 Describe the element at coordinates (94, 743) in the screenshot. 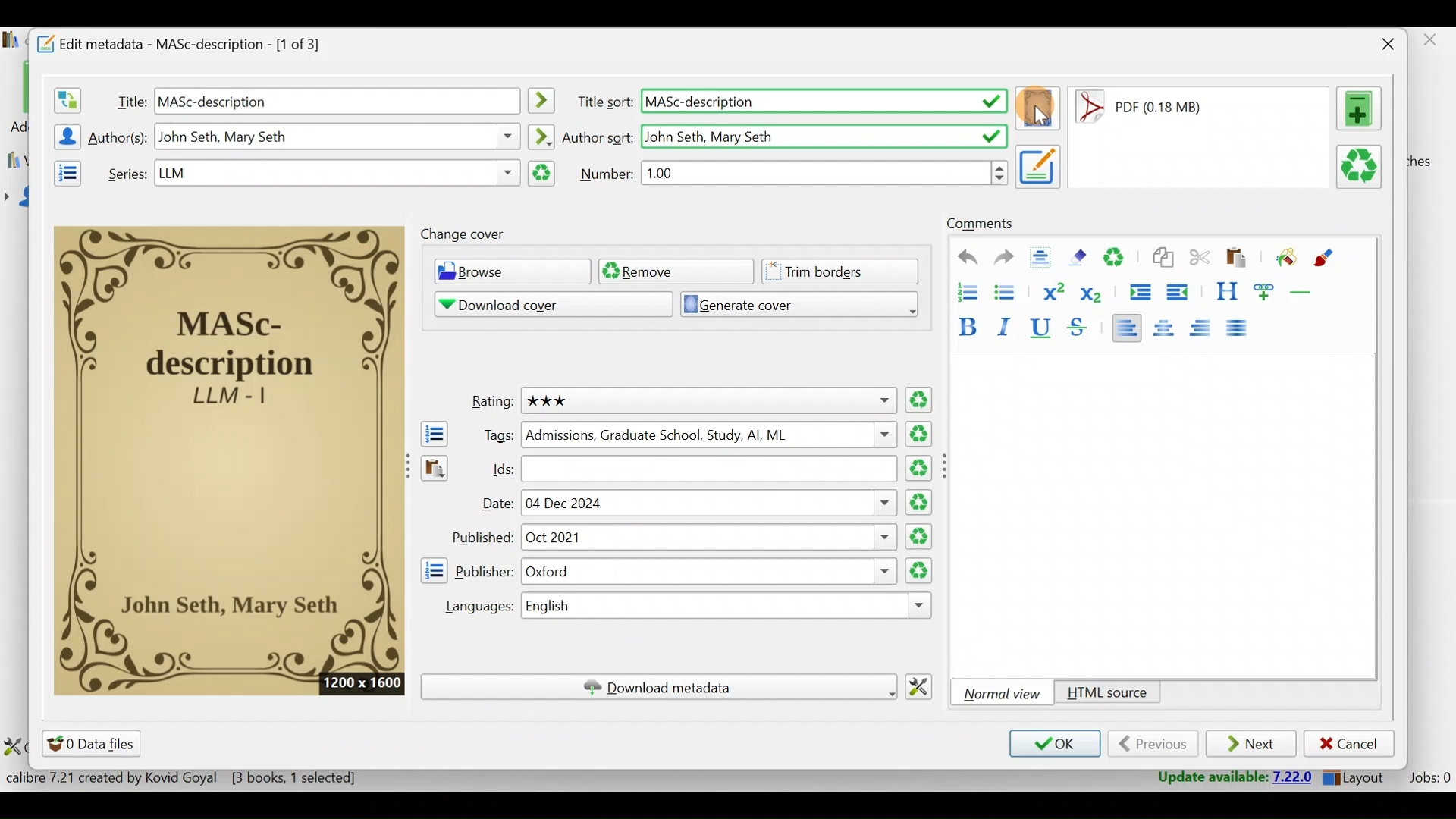

I see `Data files` at that location.